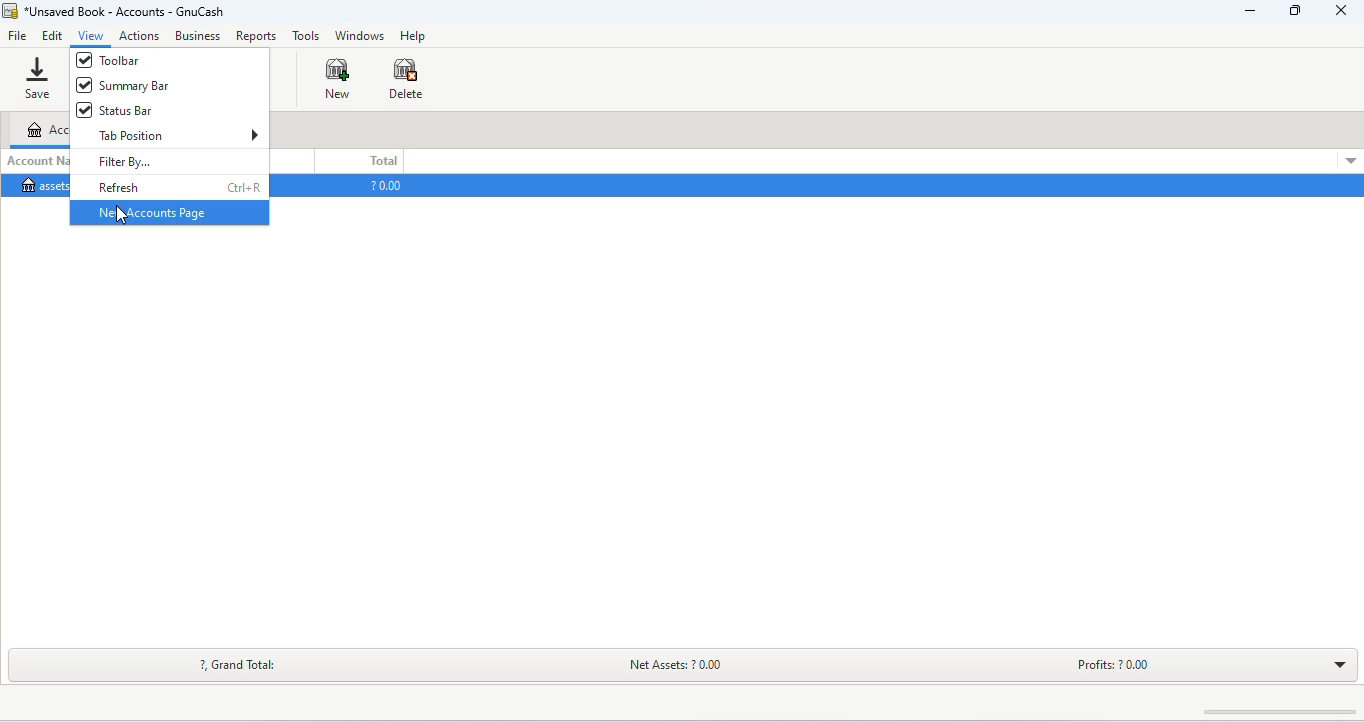 The image size is (1364, 722). What do you see at coordinates (1338, 663) in the screenshot?
I see `drop down` at bounding box center [1338, 663].